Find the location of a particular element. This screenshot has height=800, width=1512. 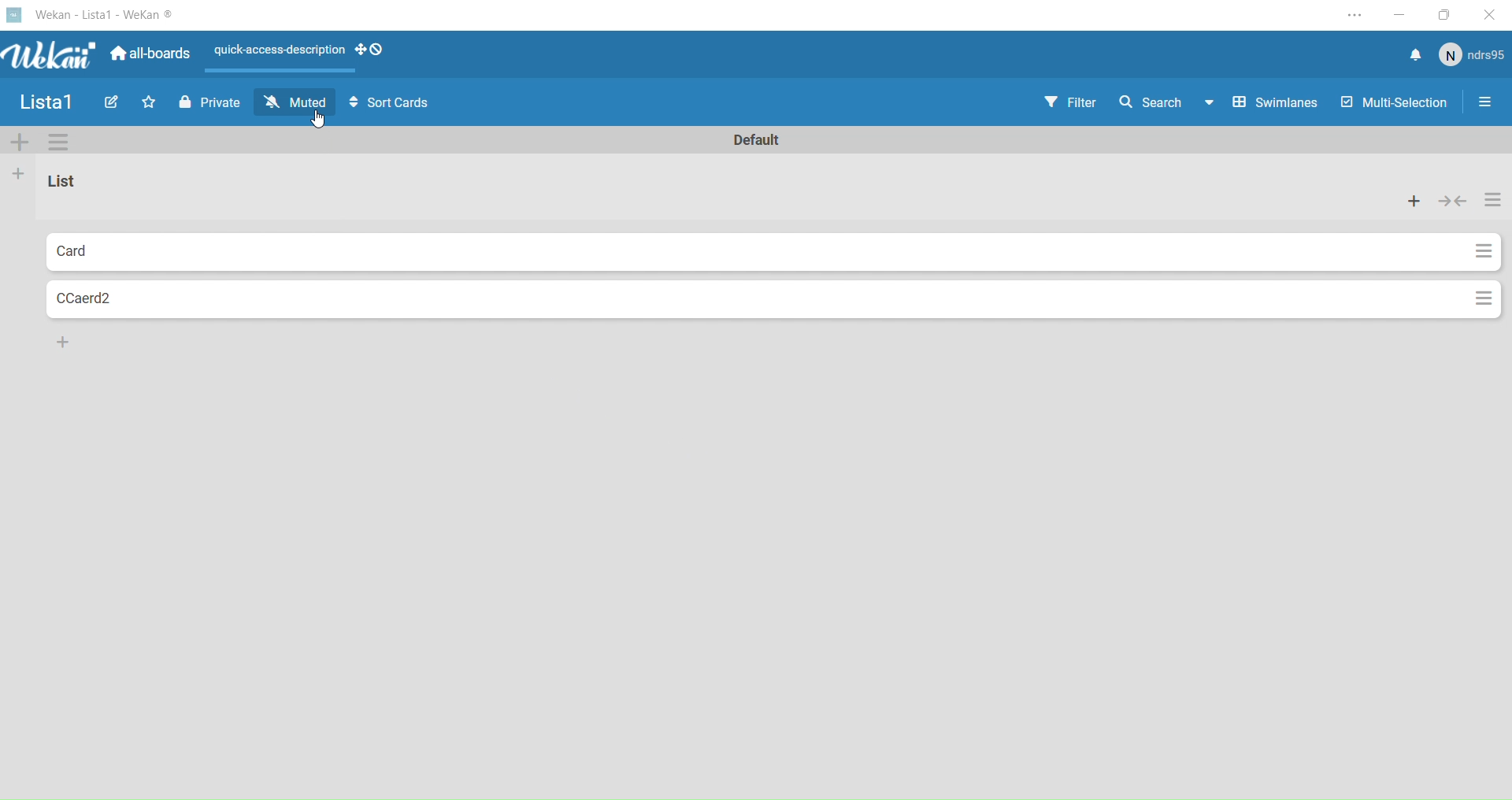

Settings is located at coordinates (1485, 105).